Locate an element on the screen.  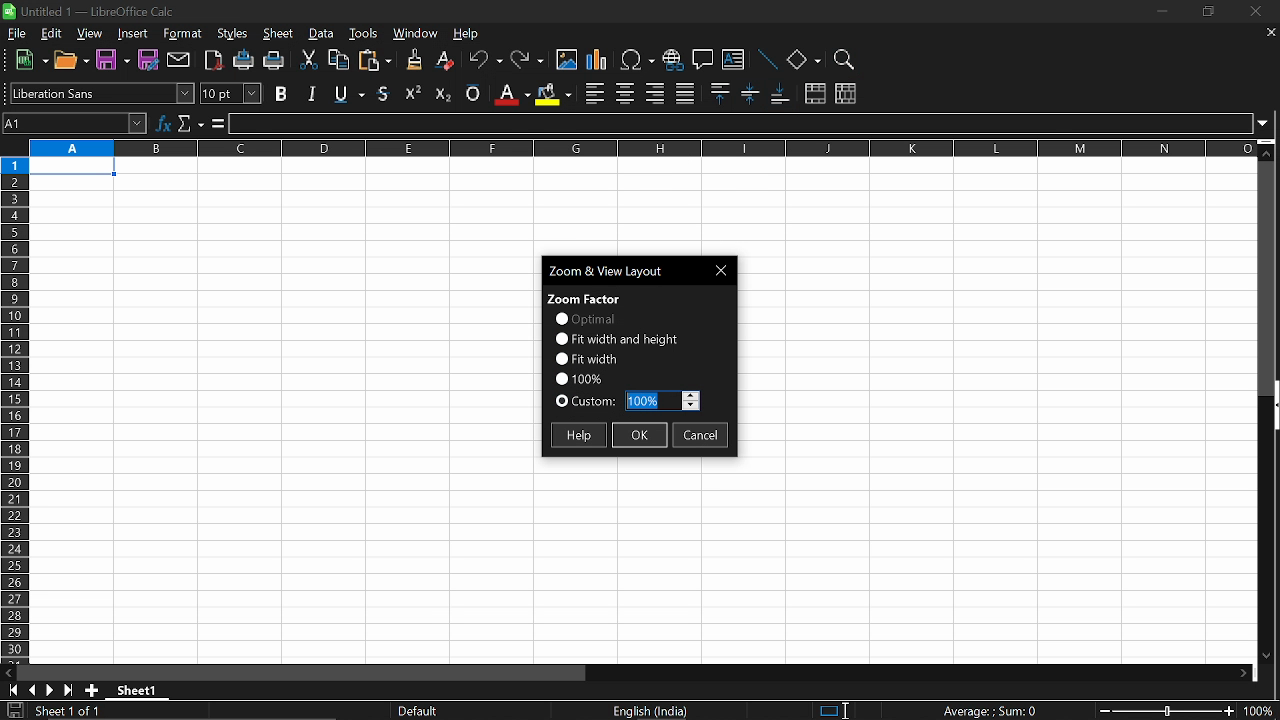
Move up is located at coordinates (1267, 153).